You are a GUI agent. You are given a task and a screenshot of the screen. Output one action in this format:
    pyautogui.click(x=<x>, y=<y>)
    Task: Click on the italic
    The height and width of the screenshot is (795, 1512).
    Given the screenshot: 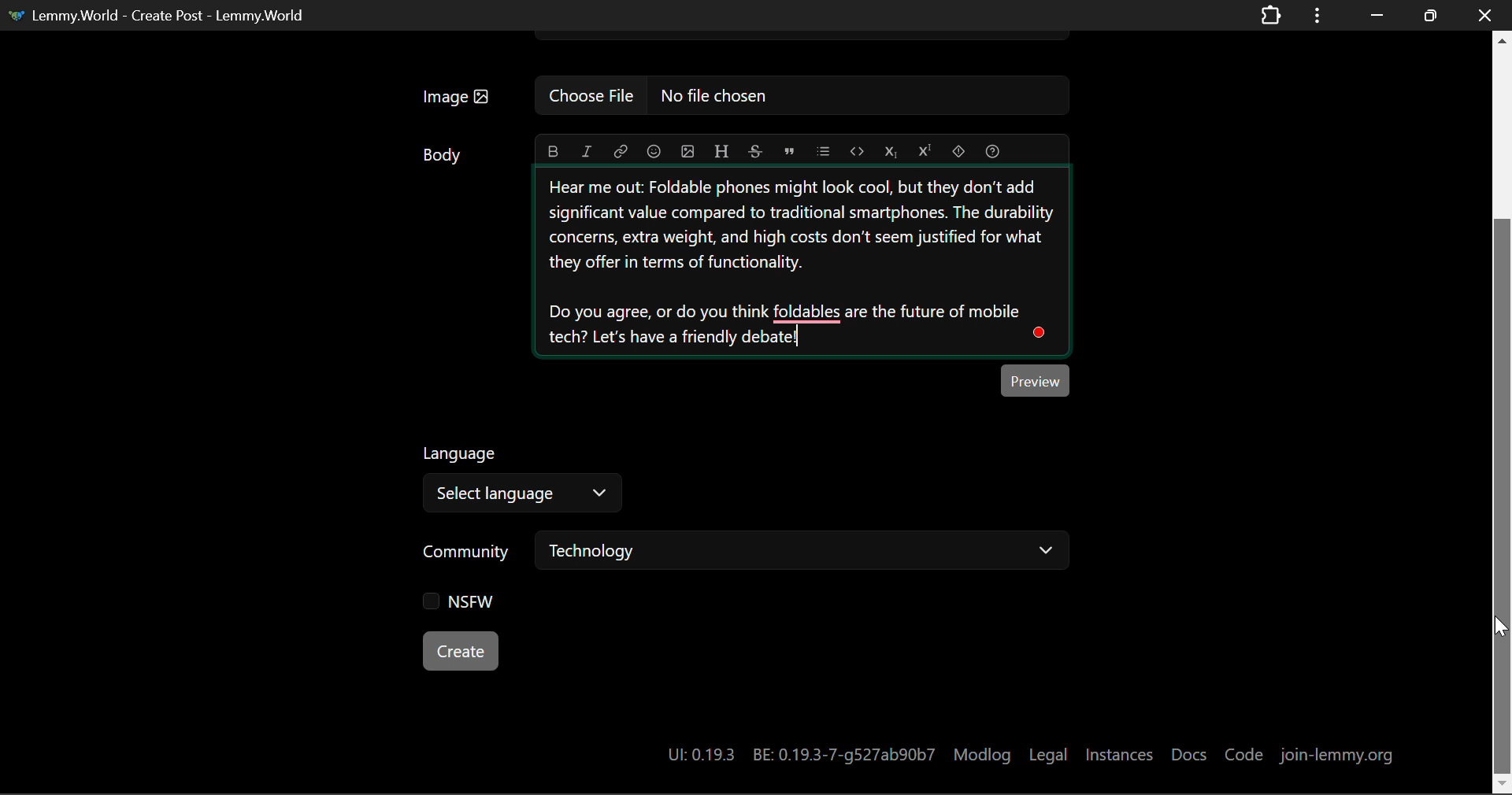 What is the action you would take?
    pyautogui.click(x=586, y=150)
    